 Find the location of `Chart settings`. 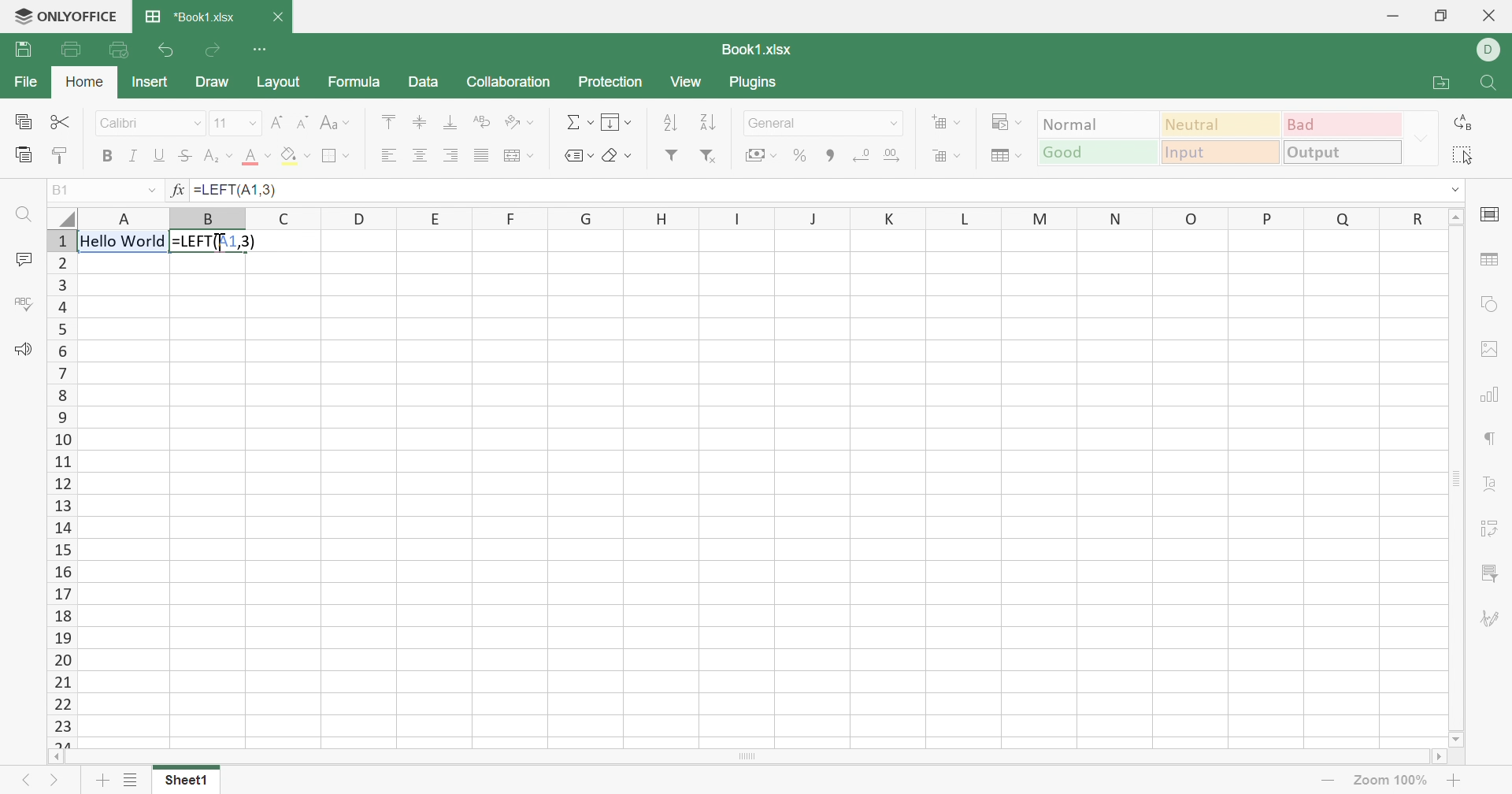

Chart settings is located at coordinates (1488, 398).